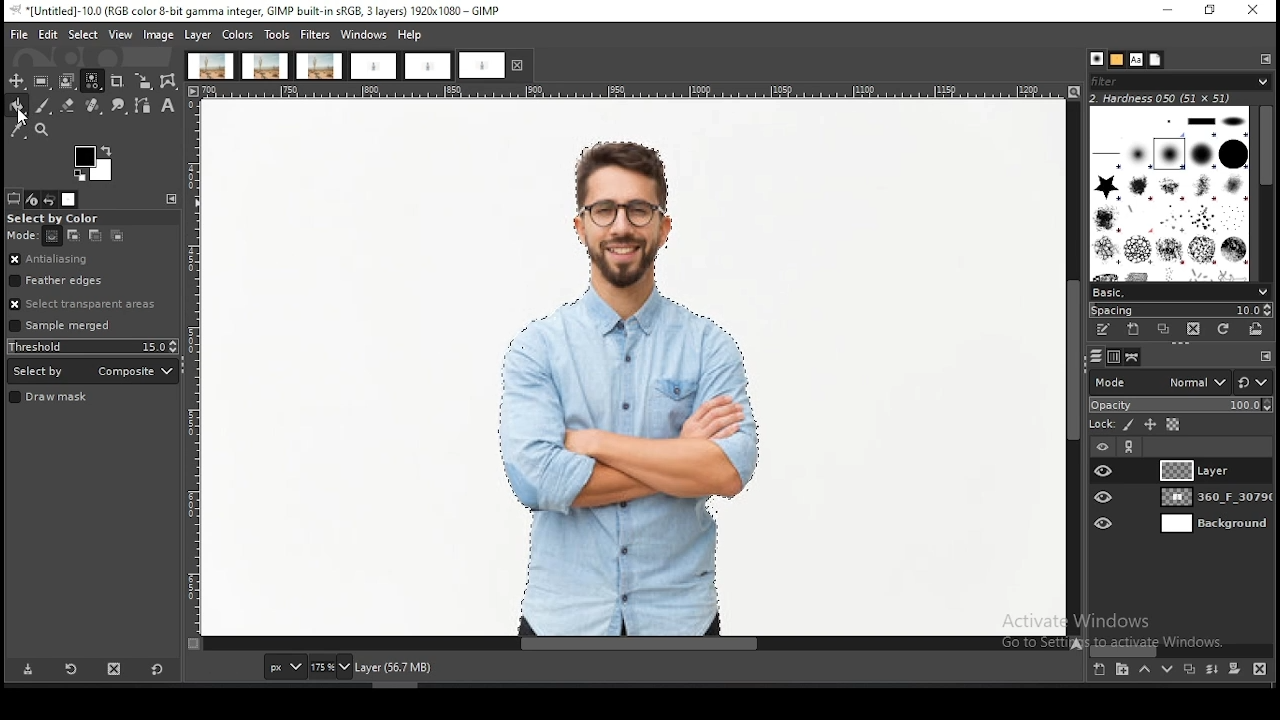 The image size is (1280, 720). Describe the element at coordinates (119, 106) in the screenshot. I see `smudge tool` at that location.